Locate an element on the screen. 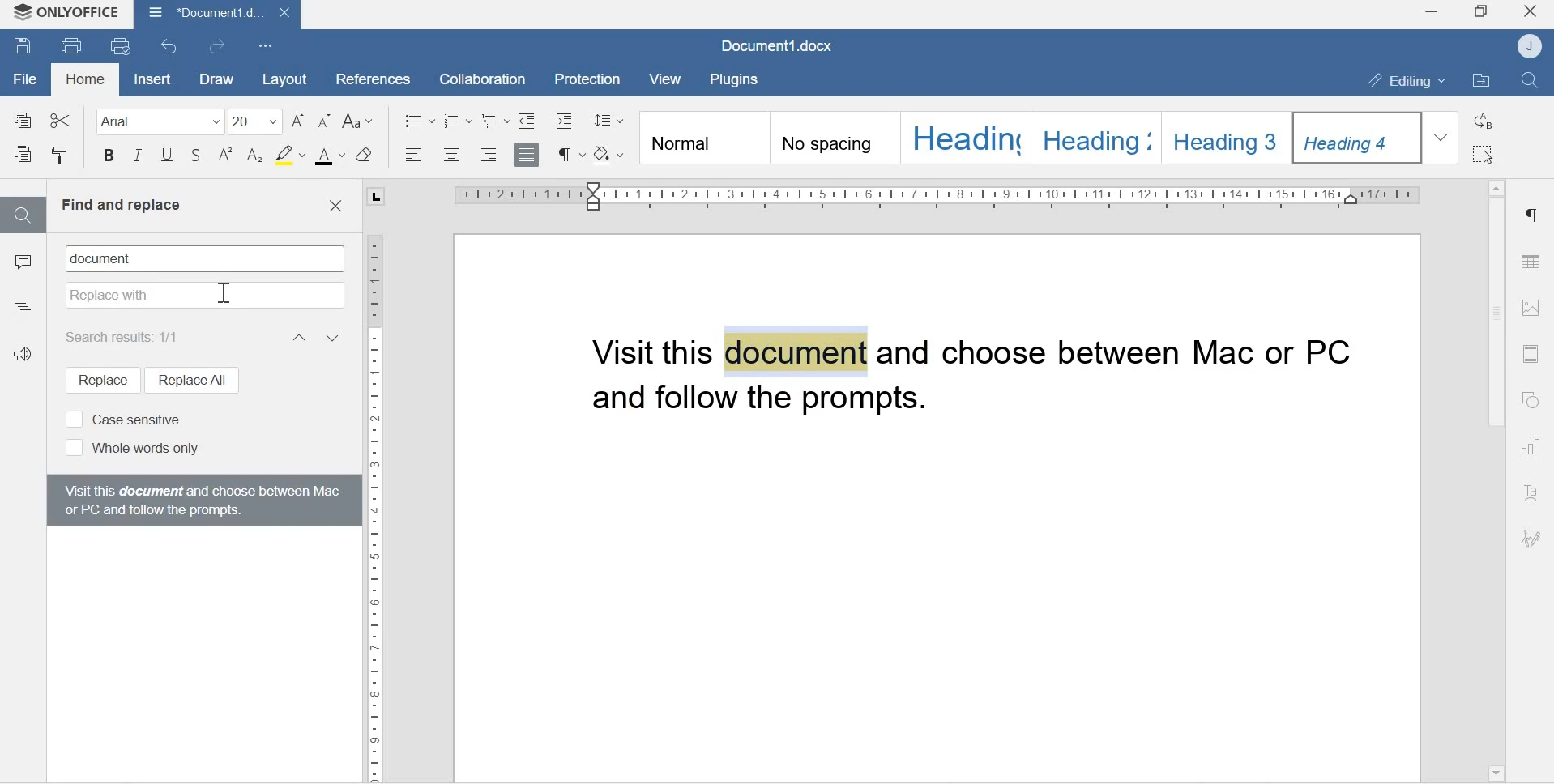  Scroll down is located at coordinates (1495, 771).